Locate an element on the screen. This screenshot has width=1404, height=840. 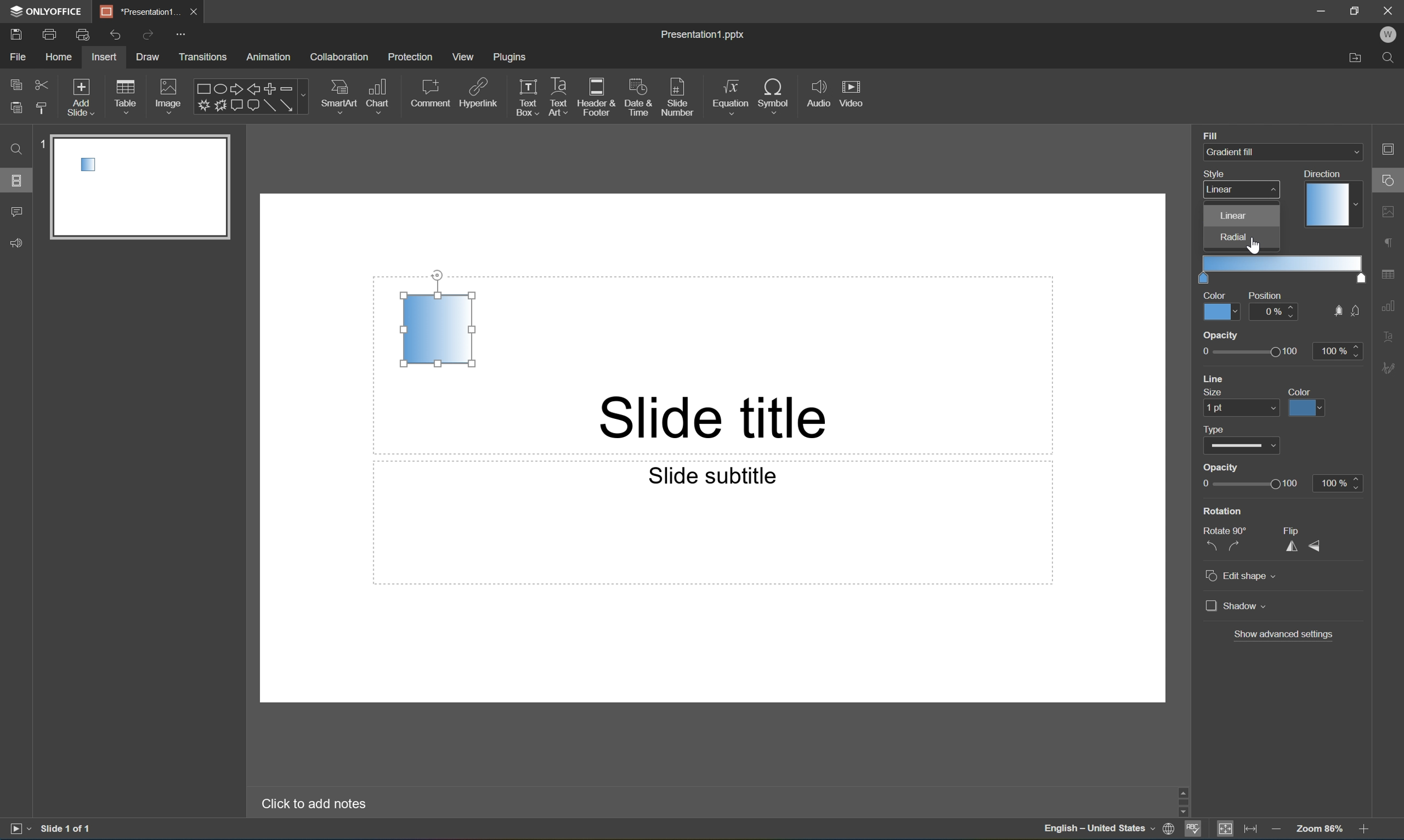
Quick Print is located at coordinates (82, 34).